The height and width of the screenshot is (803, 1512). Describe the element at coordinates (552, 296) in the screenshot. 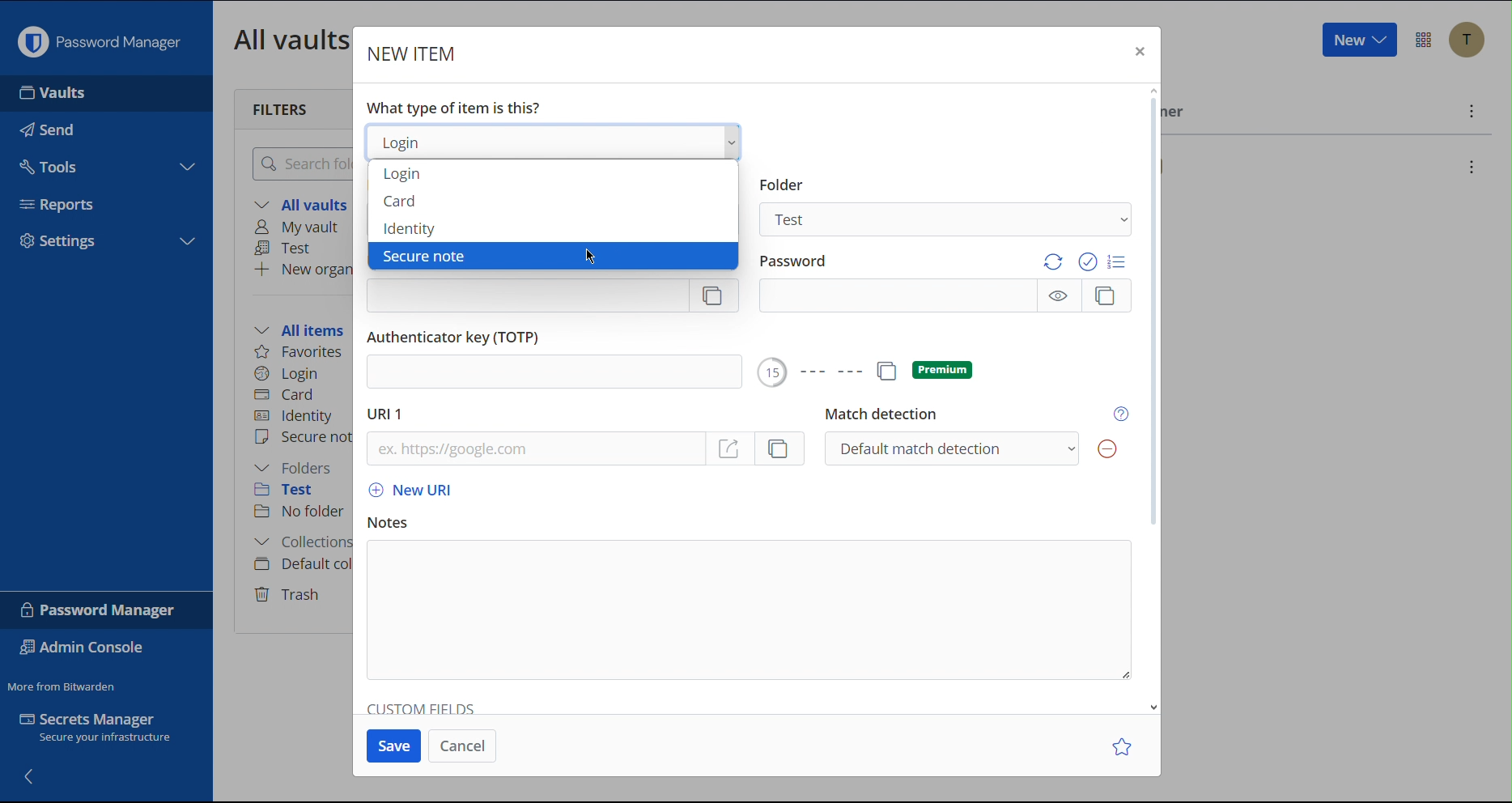

I see `Username` at that location.